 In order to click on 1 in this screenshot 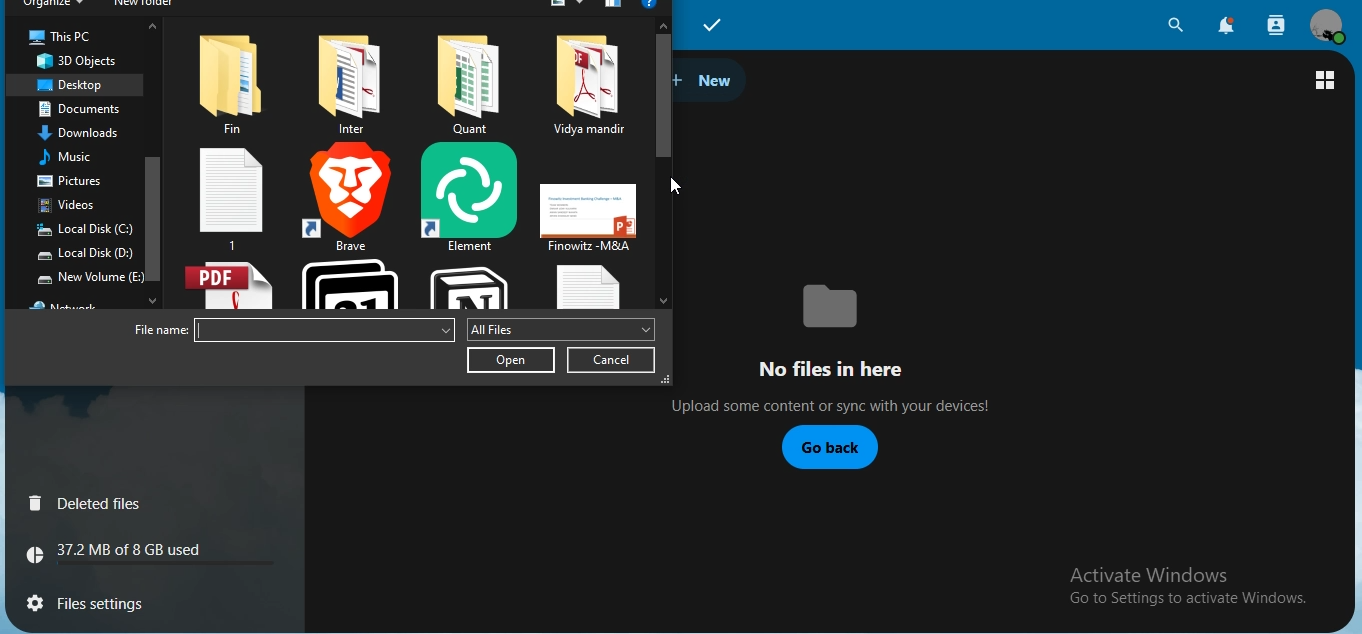, I will do `click(232, 197)`.